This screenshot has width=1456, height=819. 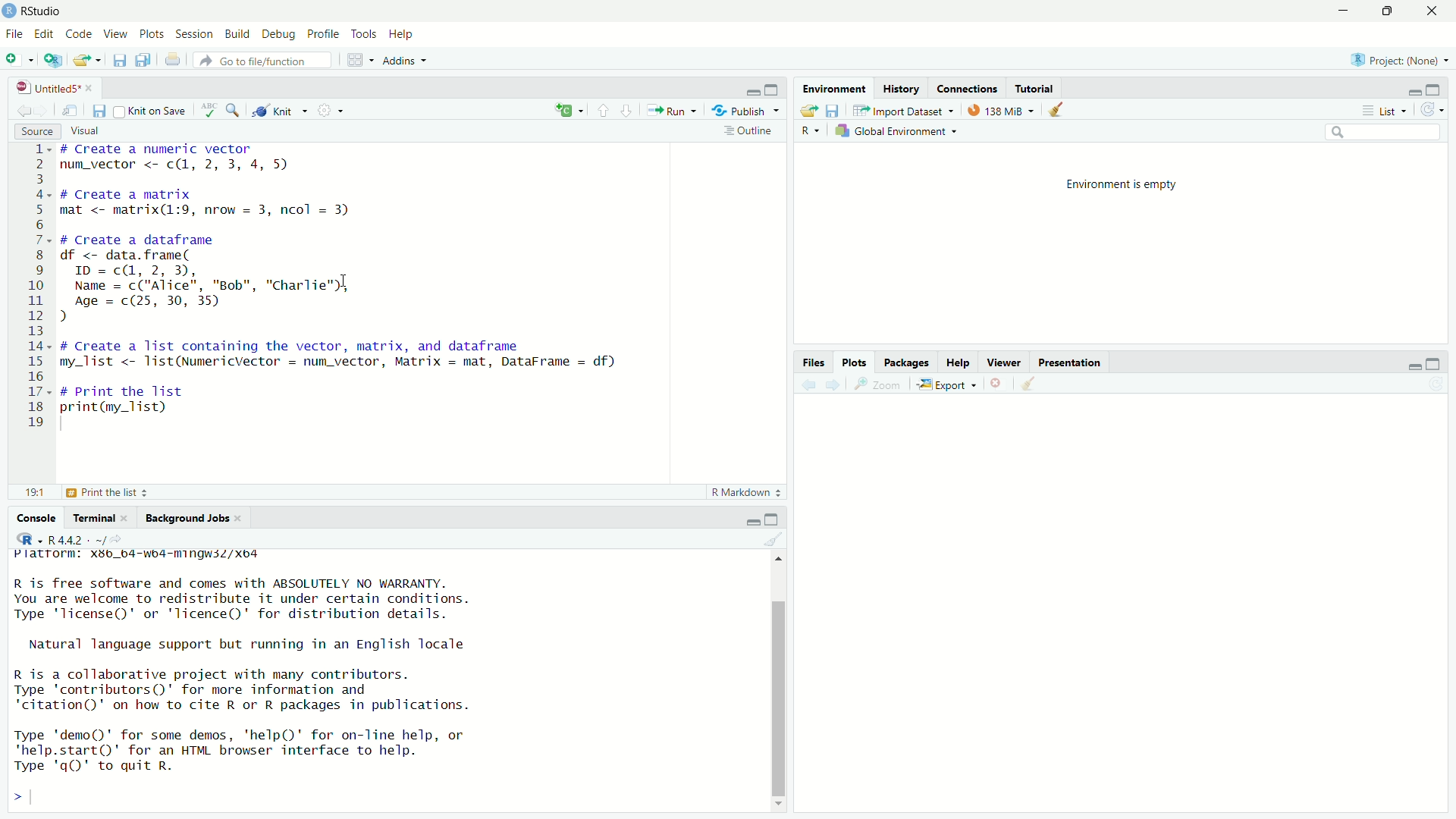 I want to click on close, so click(x=1437, y=11).